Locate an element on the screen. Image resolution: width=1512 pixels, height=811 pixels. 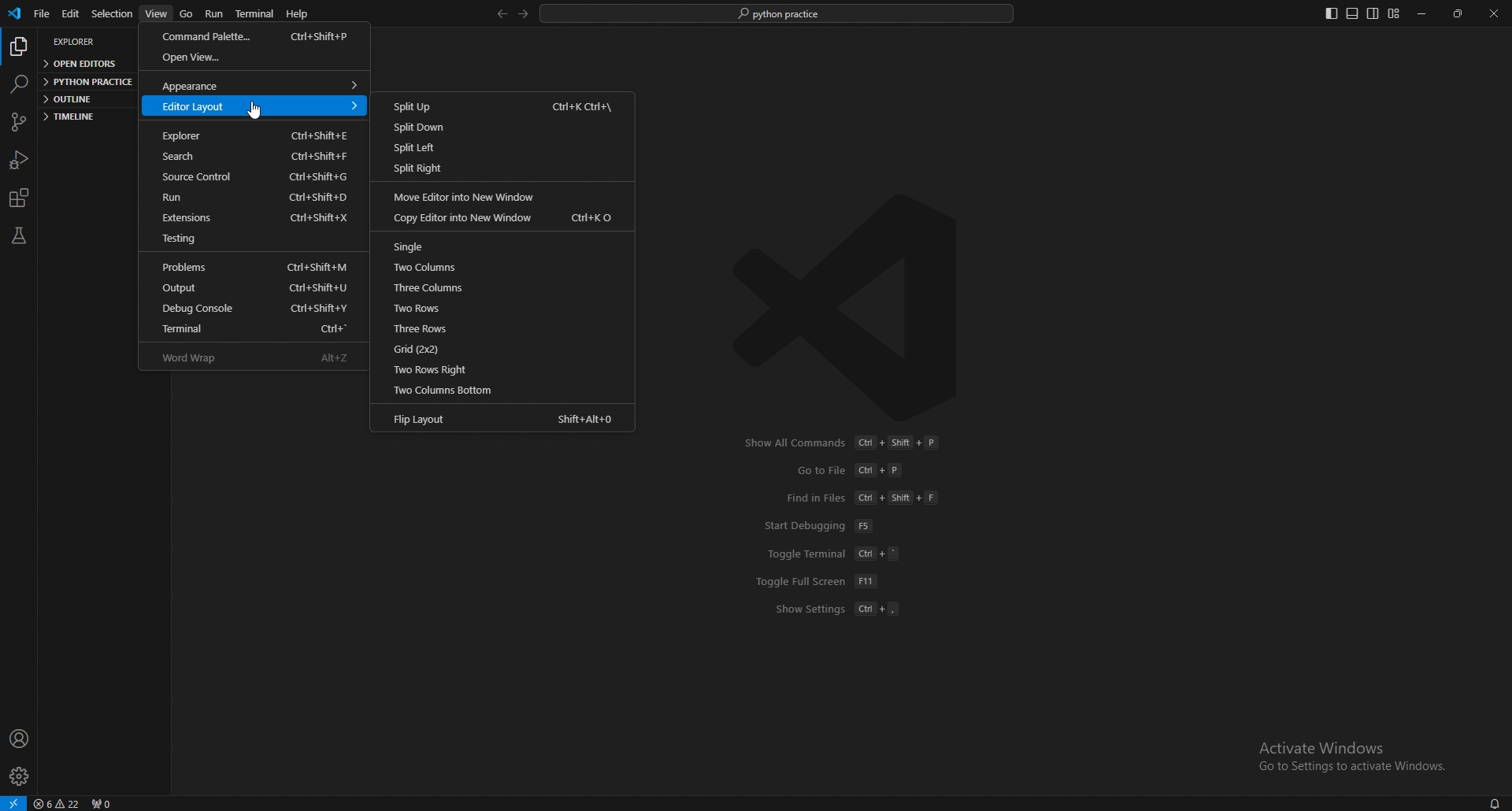
split left is located at coordinates (501, 149).